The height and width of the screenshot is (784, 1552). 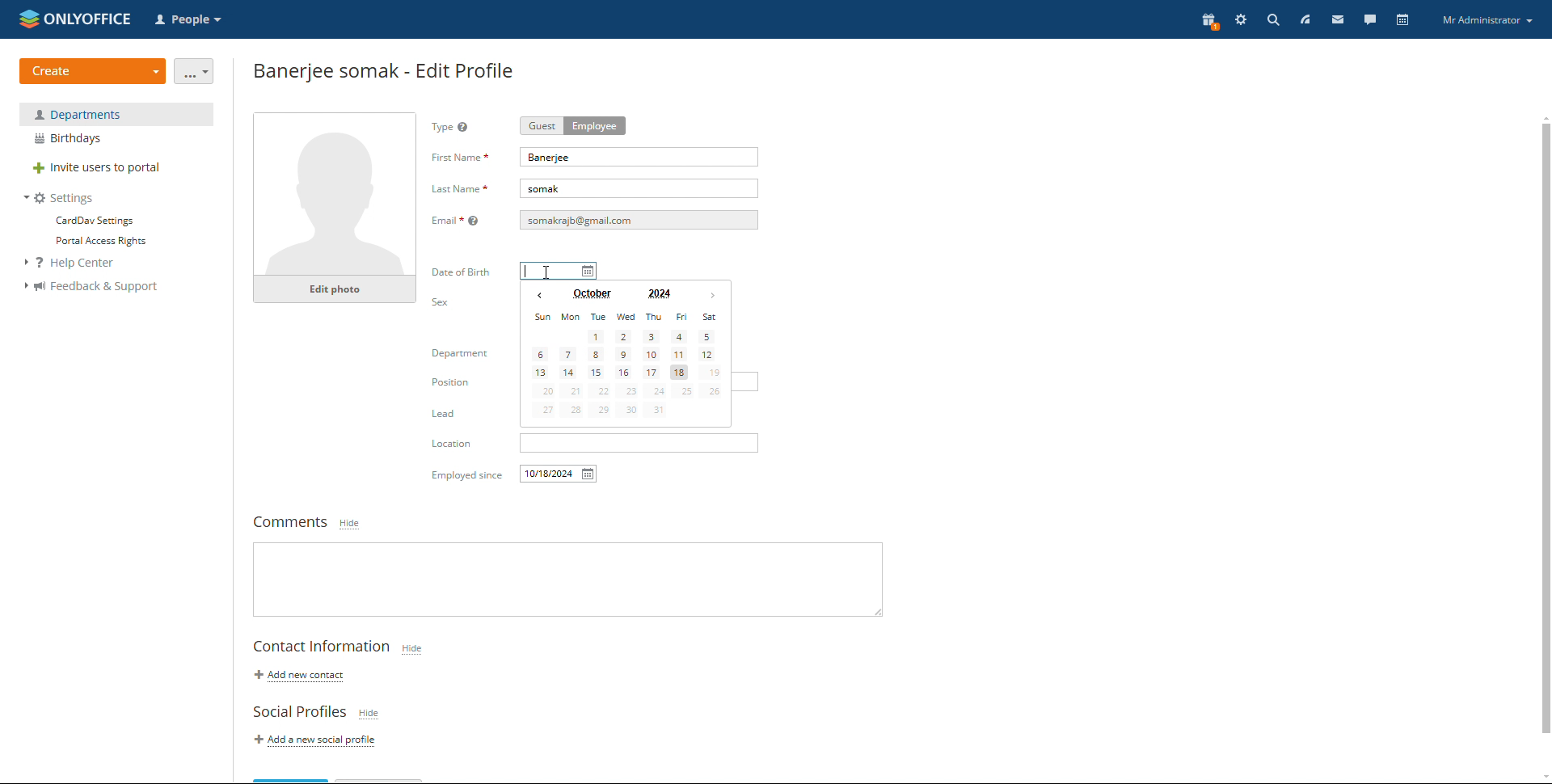 I want to click on next month, so click(x=711, y=295).